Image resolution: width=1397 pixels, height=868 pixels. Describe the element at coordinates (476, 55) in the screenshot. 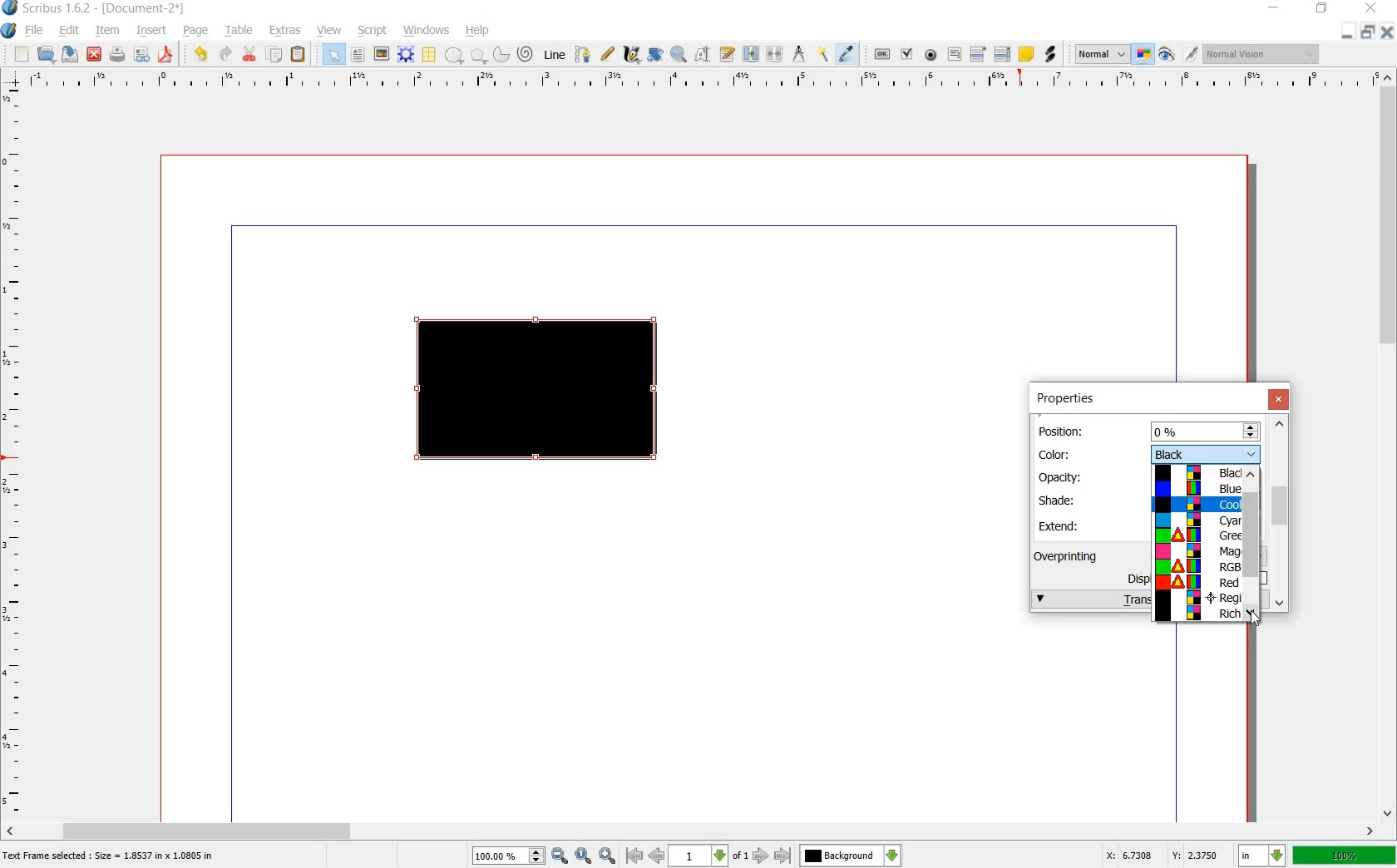

I see `polygon` at that location.